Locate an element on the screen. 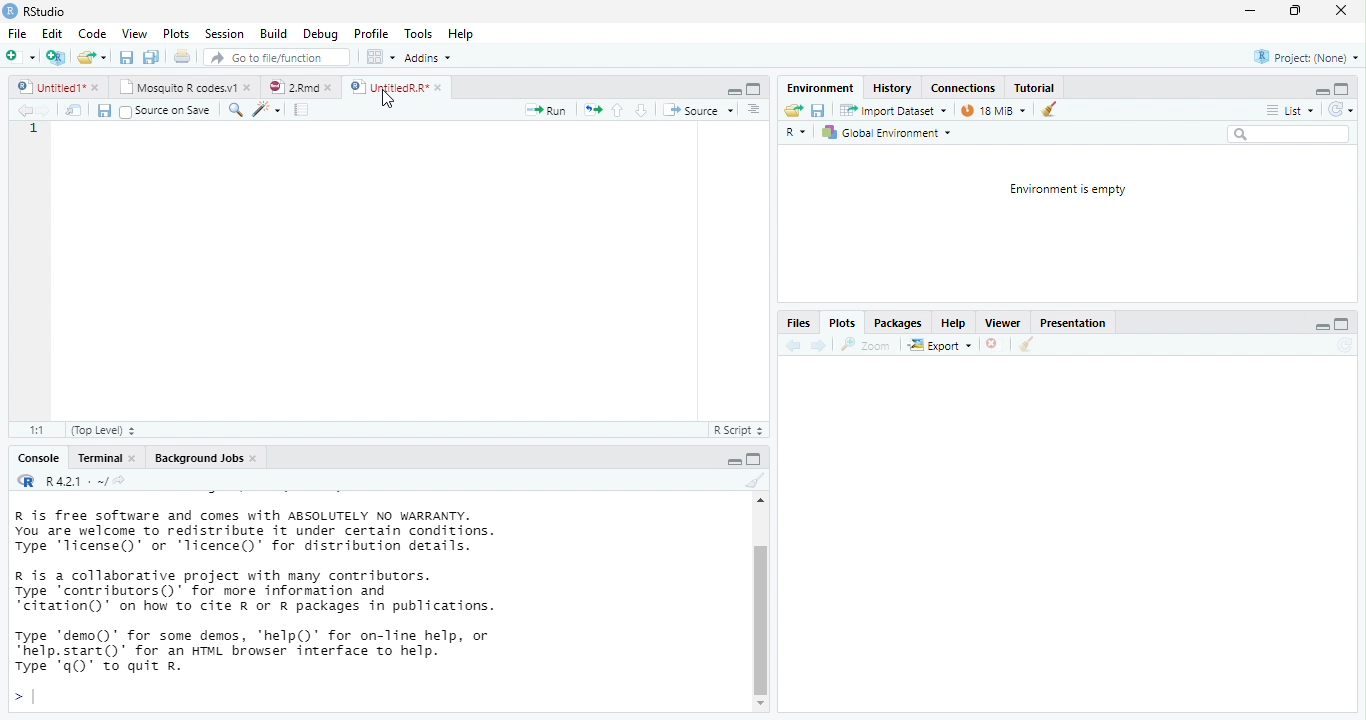 This screenshot has width=1366, height=720. minimize is located at coordinates (1249, 12).